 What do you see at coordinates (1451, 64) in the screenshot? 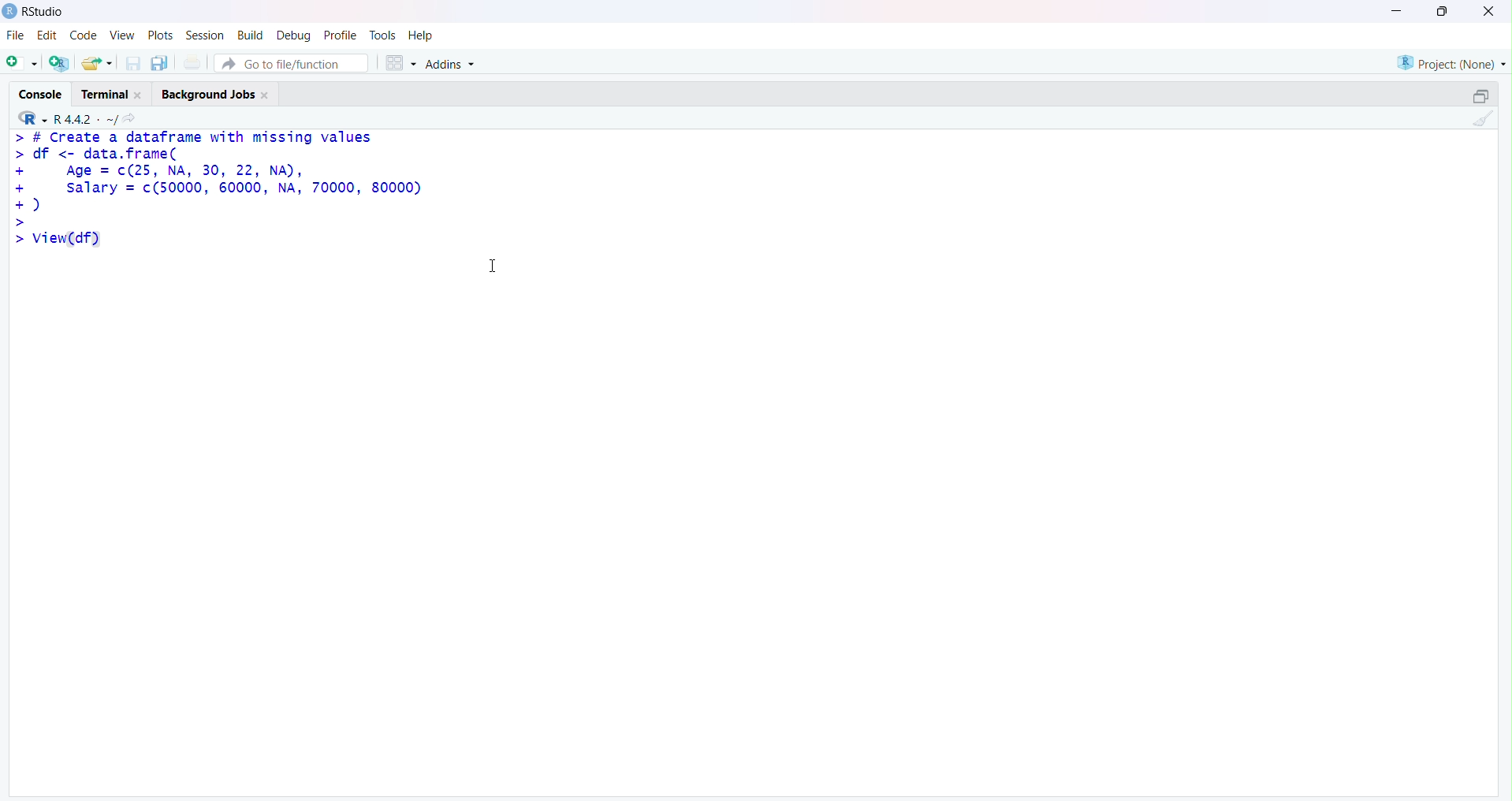
I see `Project (Note)` at bounding box center [1451, 64].